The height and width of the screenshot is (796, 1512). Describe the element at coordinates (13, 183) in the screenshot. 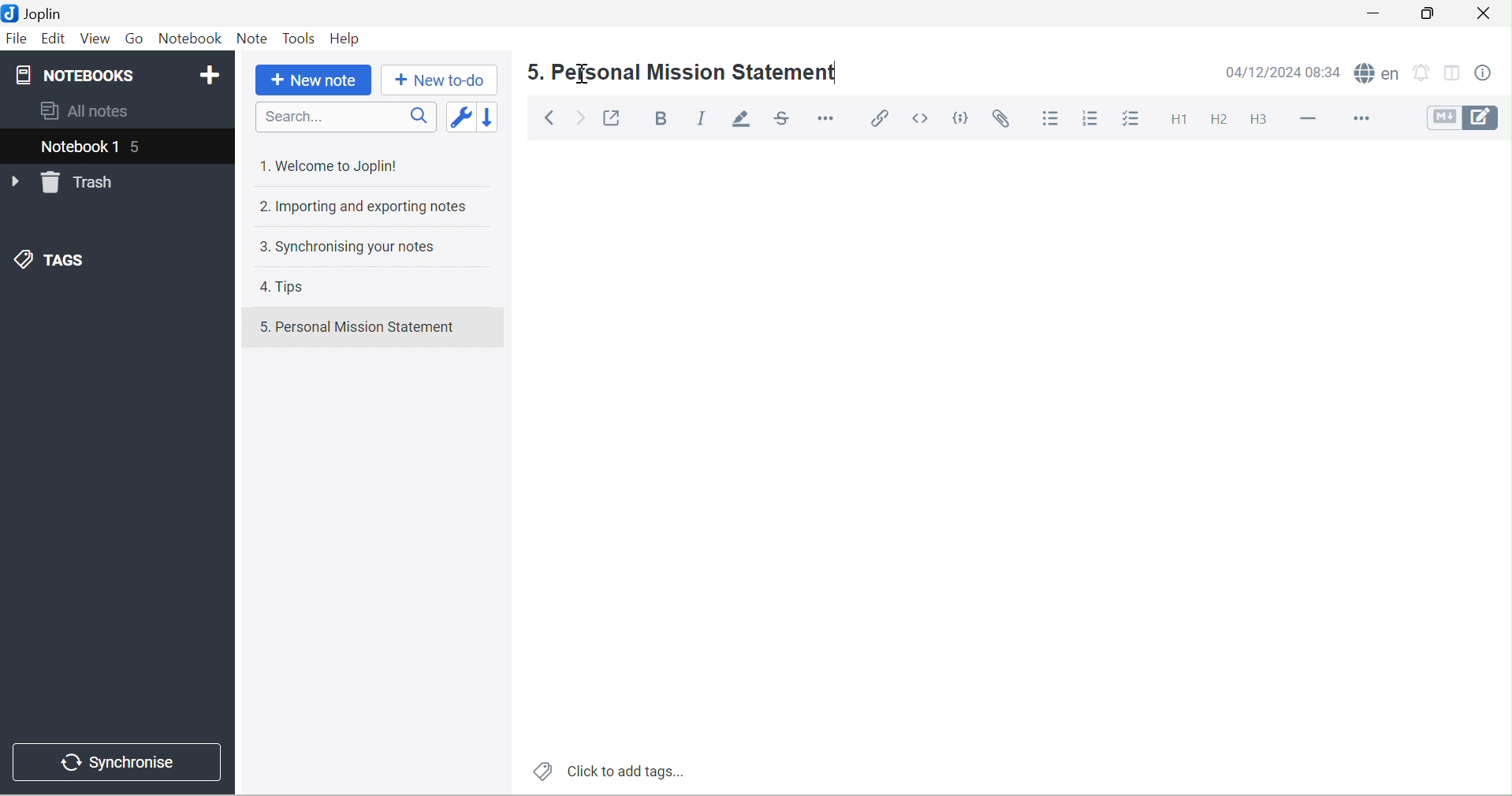

I see `Drop Down` at that location.